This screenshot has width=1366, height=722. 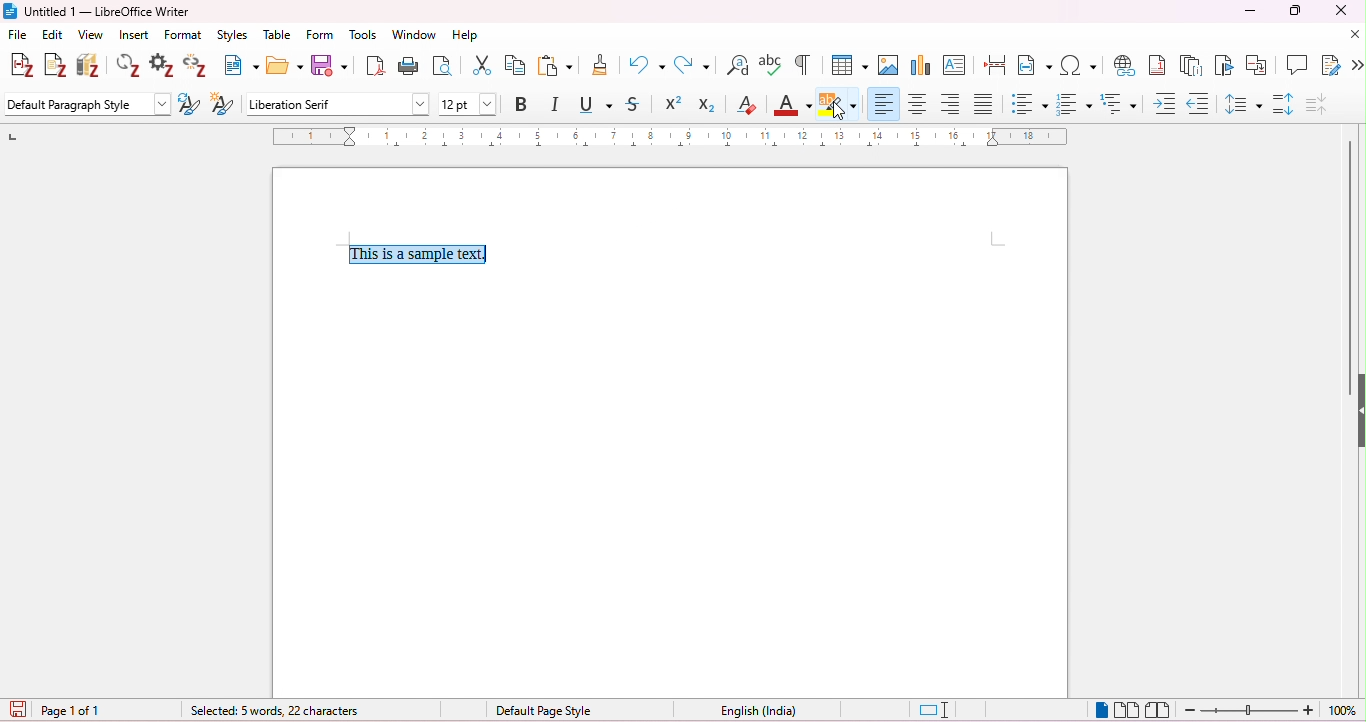 What do you see at coordinates (889, 64) in the screenshot?
I see `insert image` at bounding box center [889, 64].